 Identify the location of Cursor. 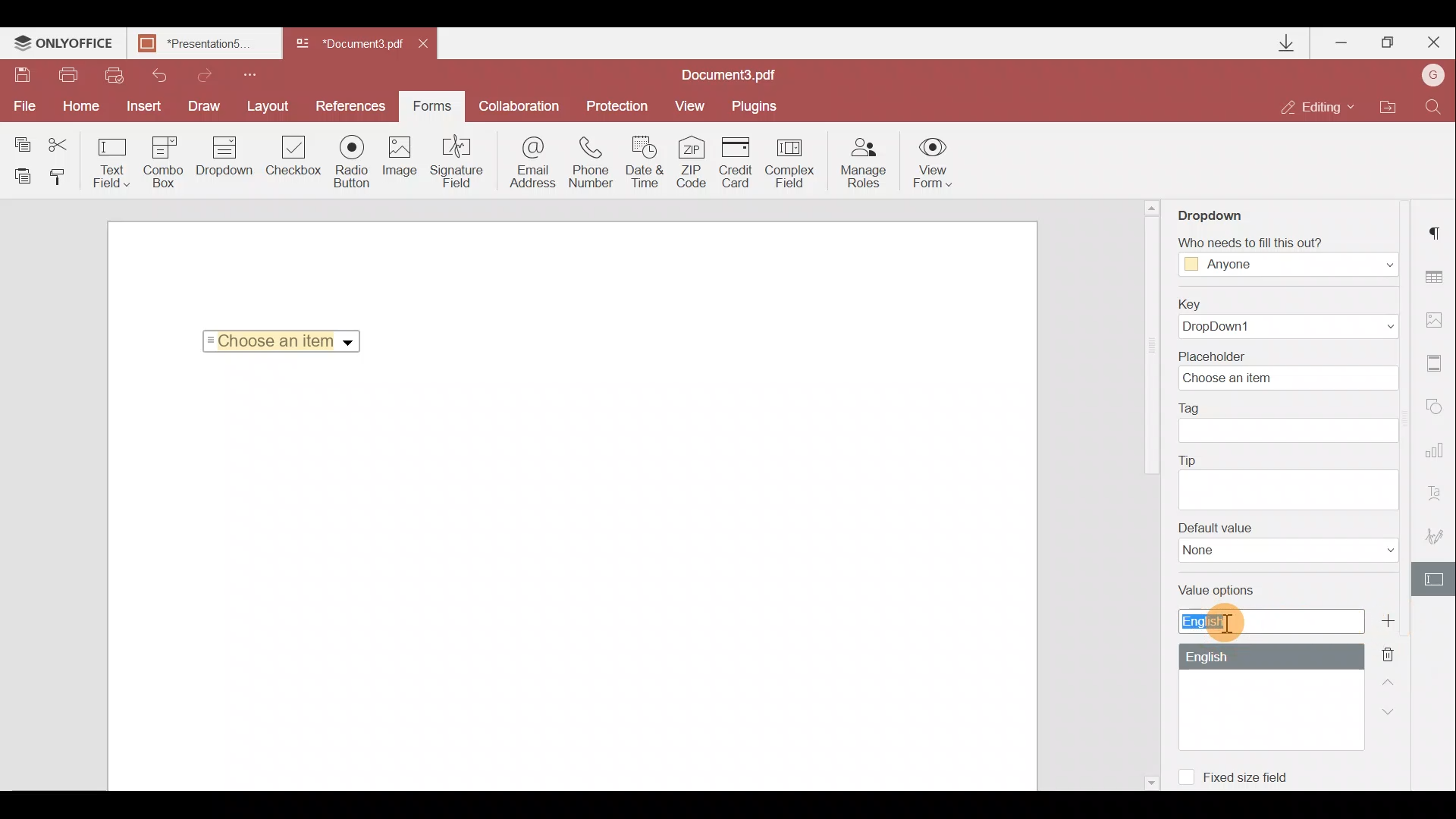
(1228, 620).